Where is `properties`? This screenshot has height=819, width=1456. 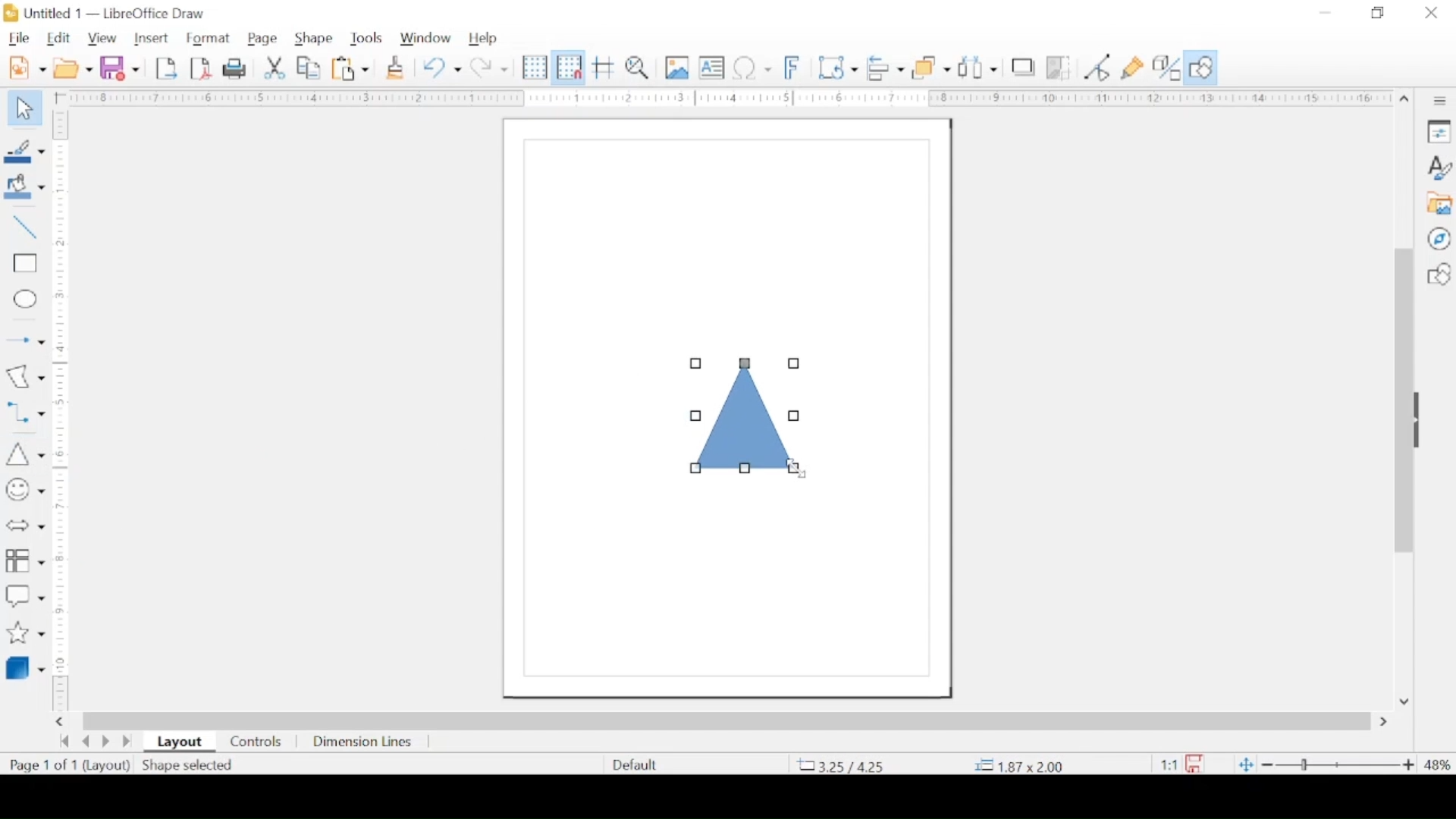 properties is located at coordinates (1439, 130).